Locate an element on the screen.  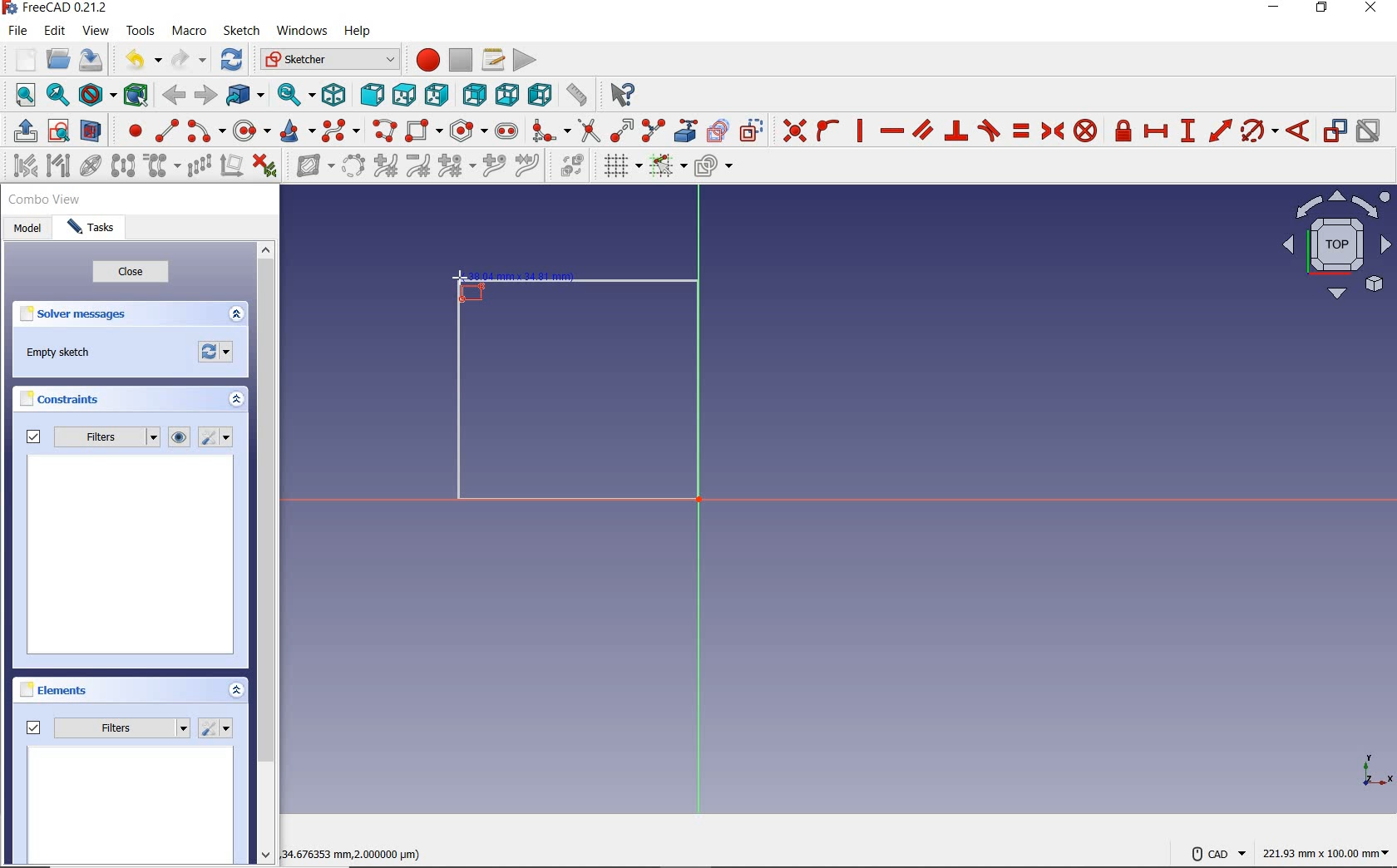
got to linked object is located at coordinates (246, 97).